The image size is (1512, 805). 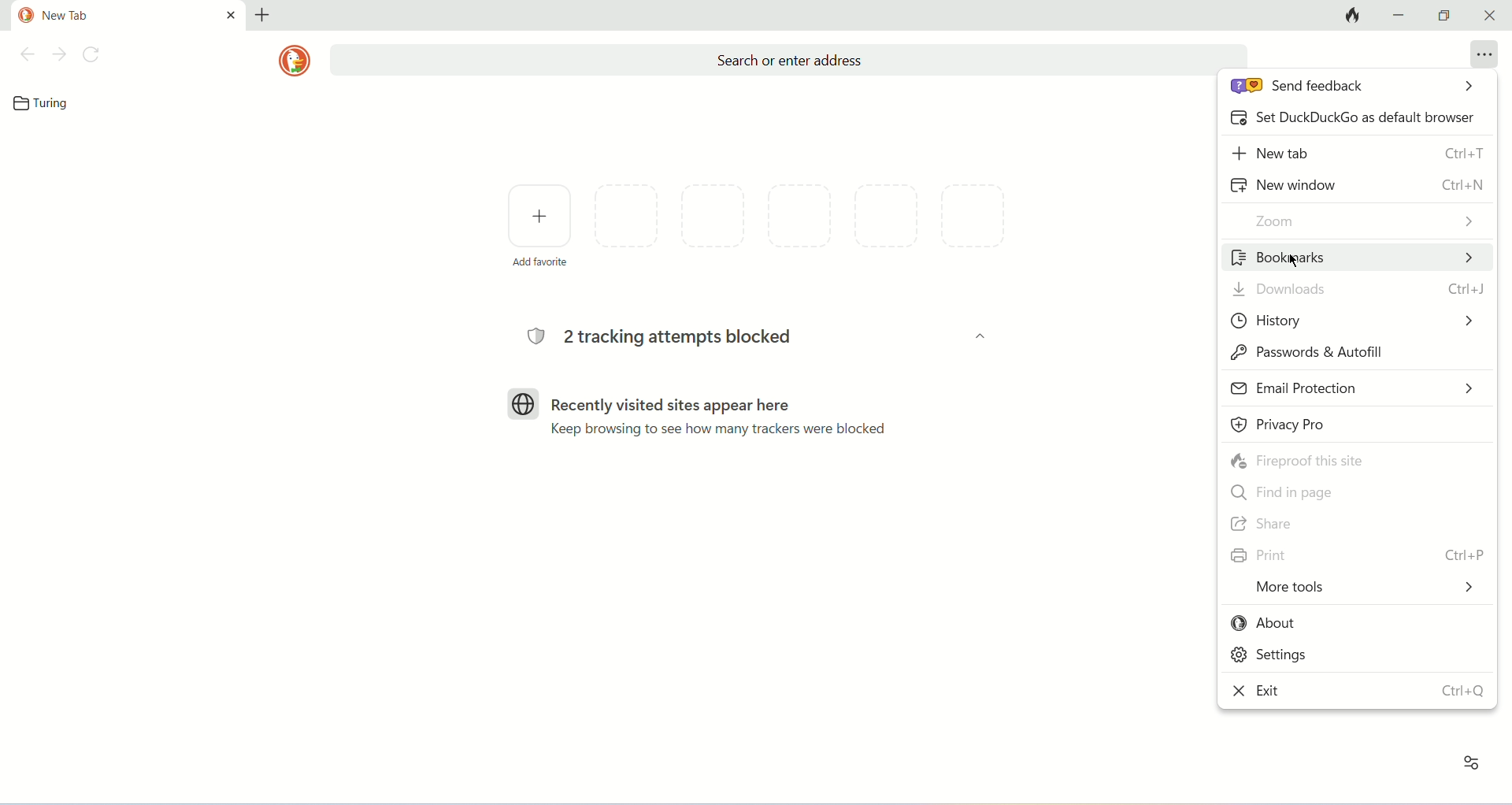 I want to click on add favorite, so click(x=539, y=224).